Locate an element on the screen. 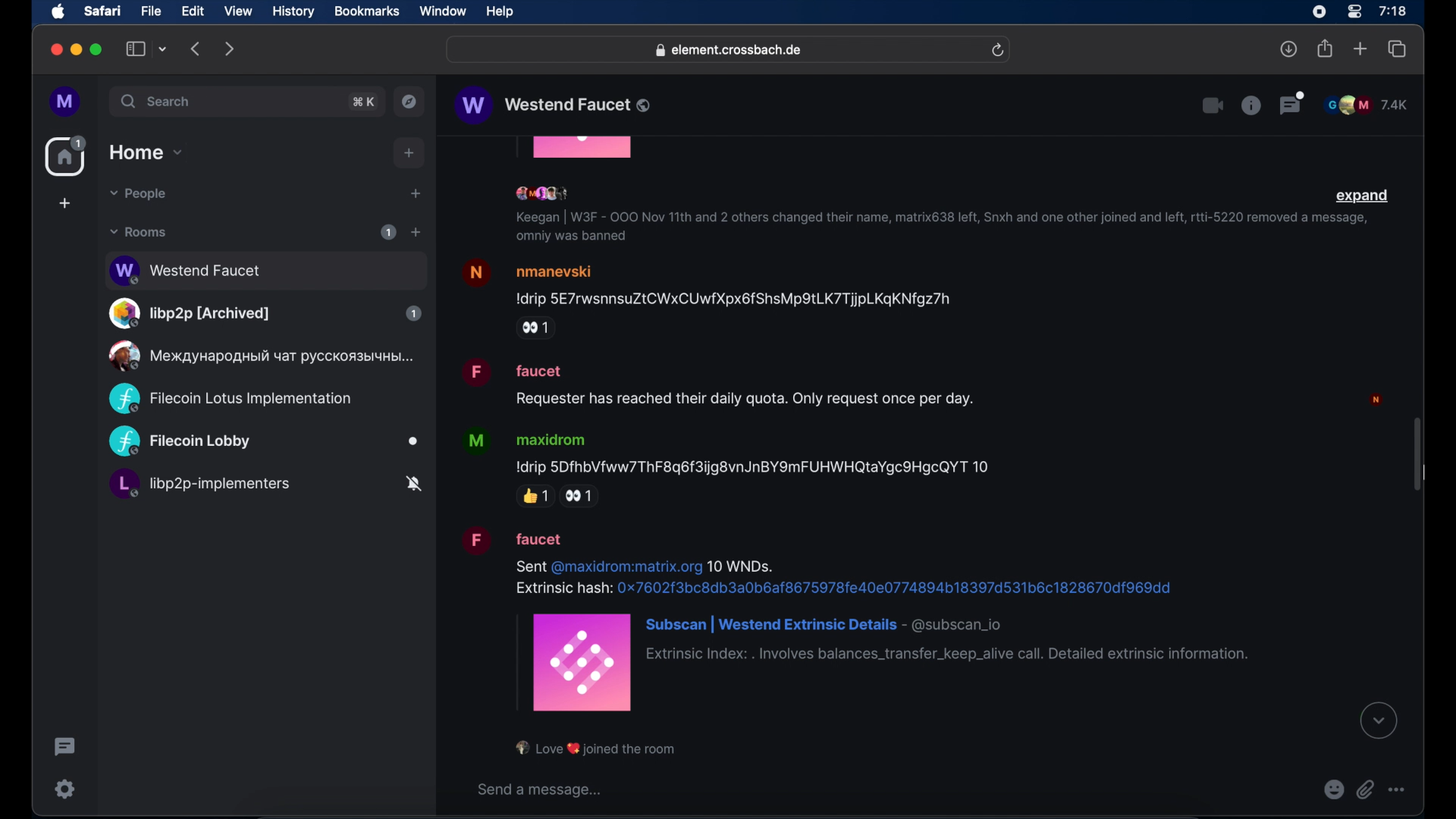 The height and width of the screenshot is (819, 1456).  is located at coordinates (140, 194).